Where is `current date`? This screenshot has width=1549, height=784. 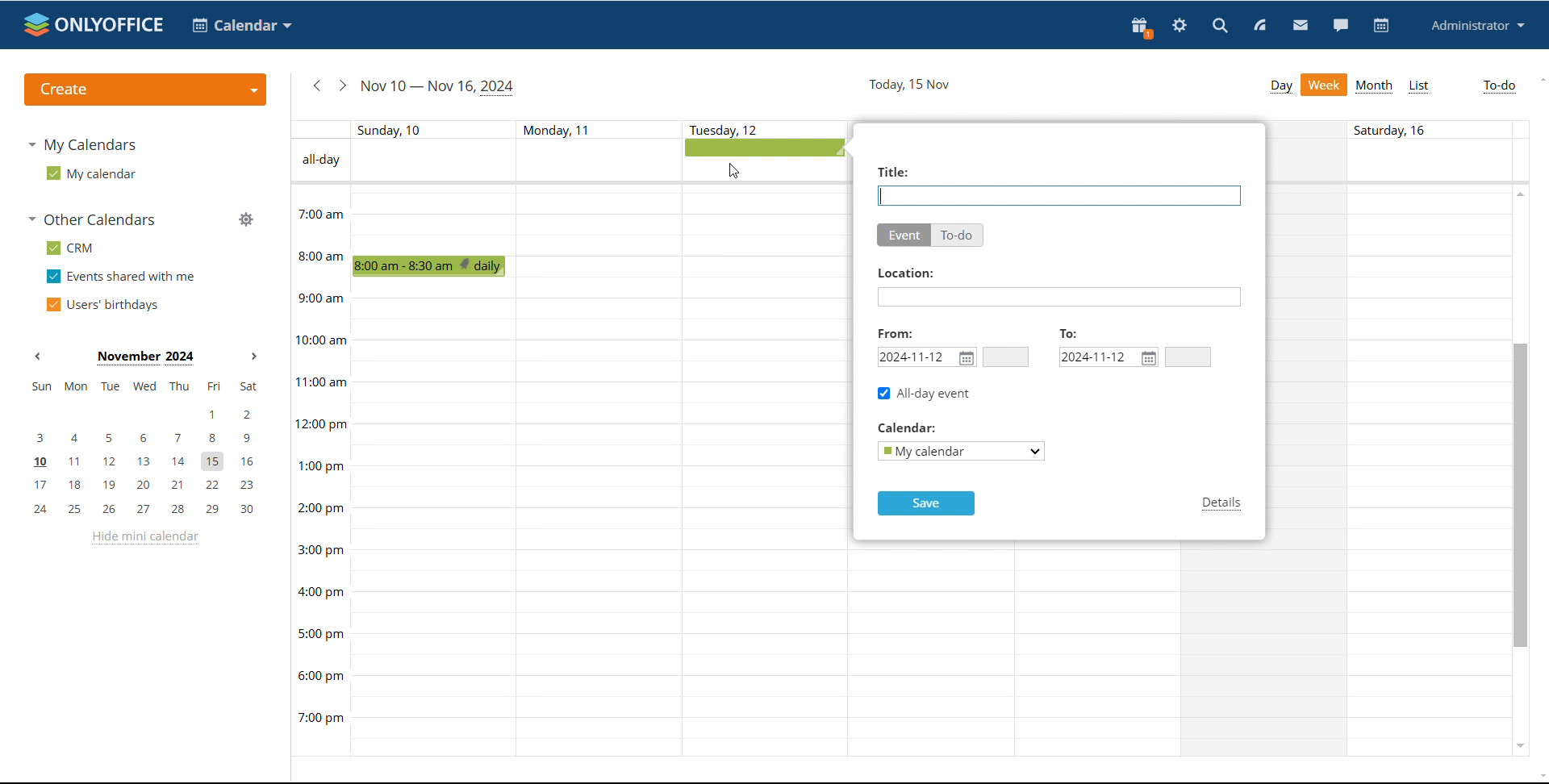 current date is located at coordinates (439, 88).